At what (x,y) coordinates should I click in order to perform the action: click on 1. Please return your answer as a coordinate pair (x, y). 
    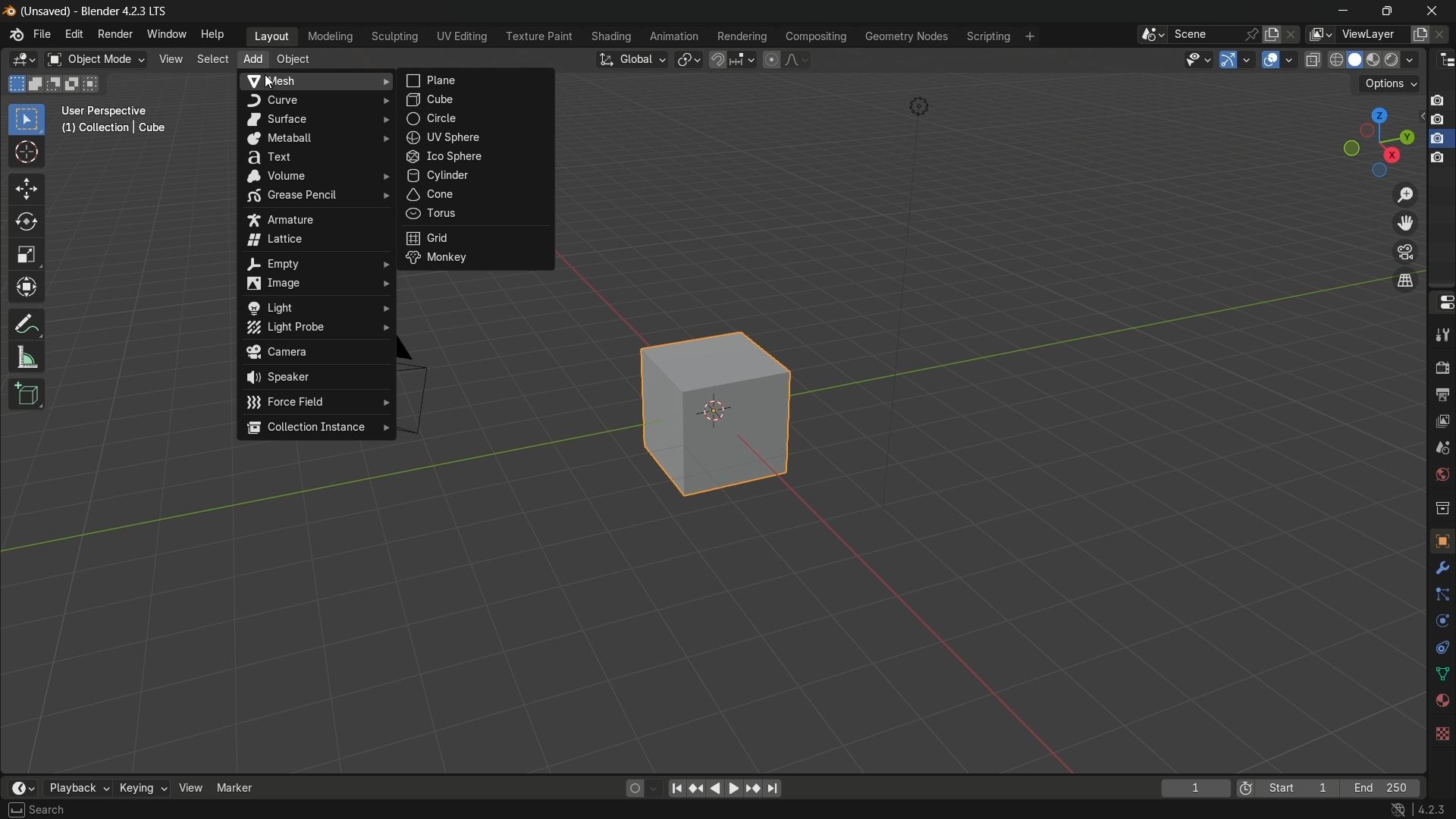
    Looking at the image, I should click on (1195, 789).